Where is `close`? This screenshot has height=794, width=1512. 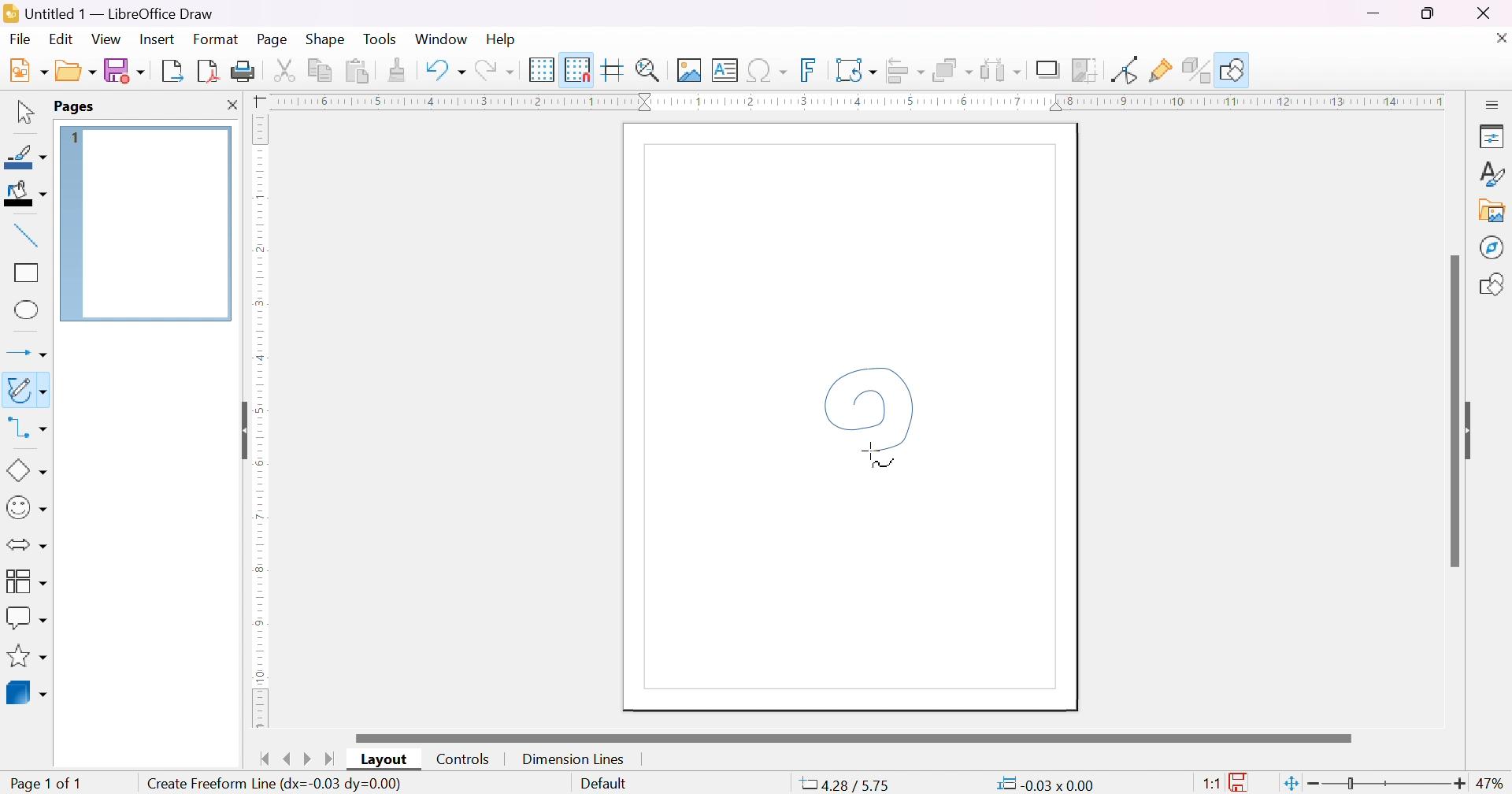
close is located at coordinates (1503, 38).